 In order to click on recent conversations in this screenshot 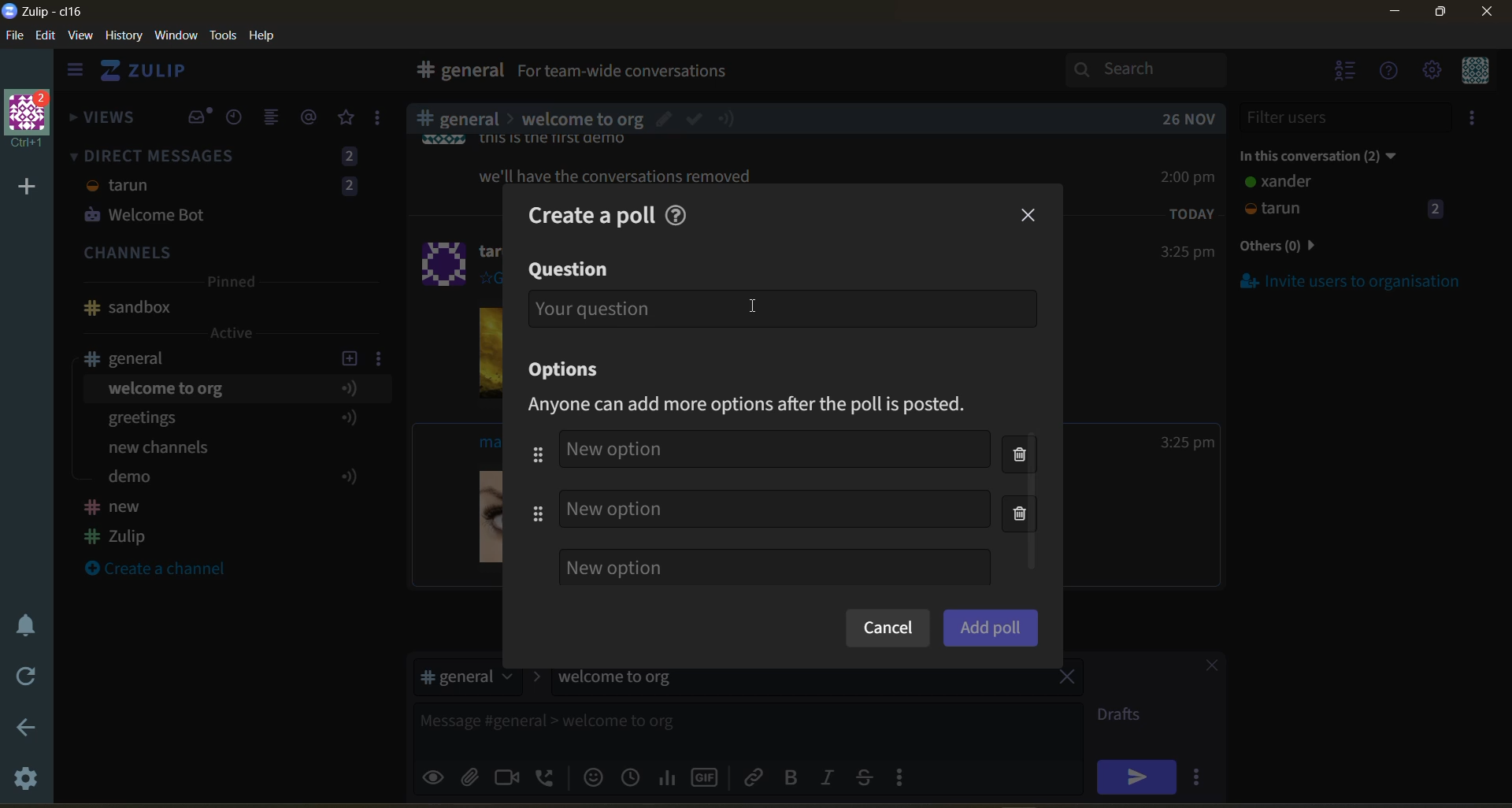, I will do `click(239, 119)`.